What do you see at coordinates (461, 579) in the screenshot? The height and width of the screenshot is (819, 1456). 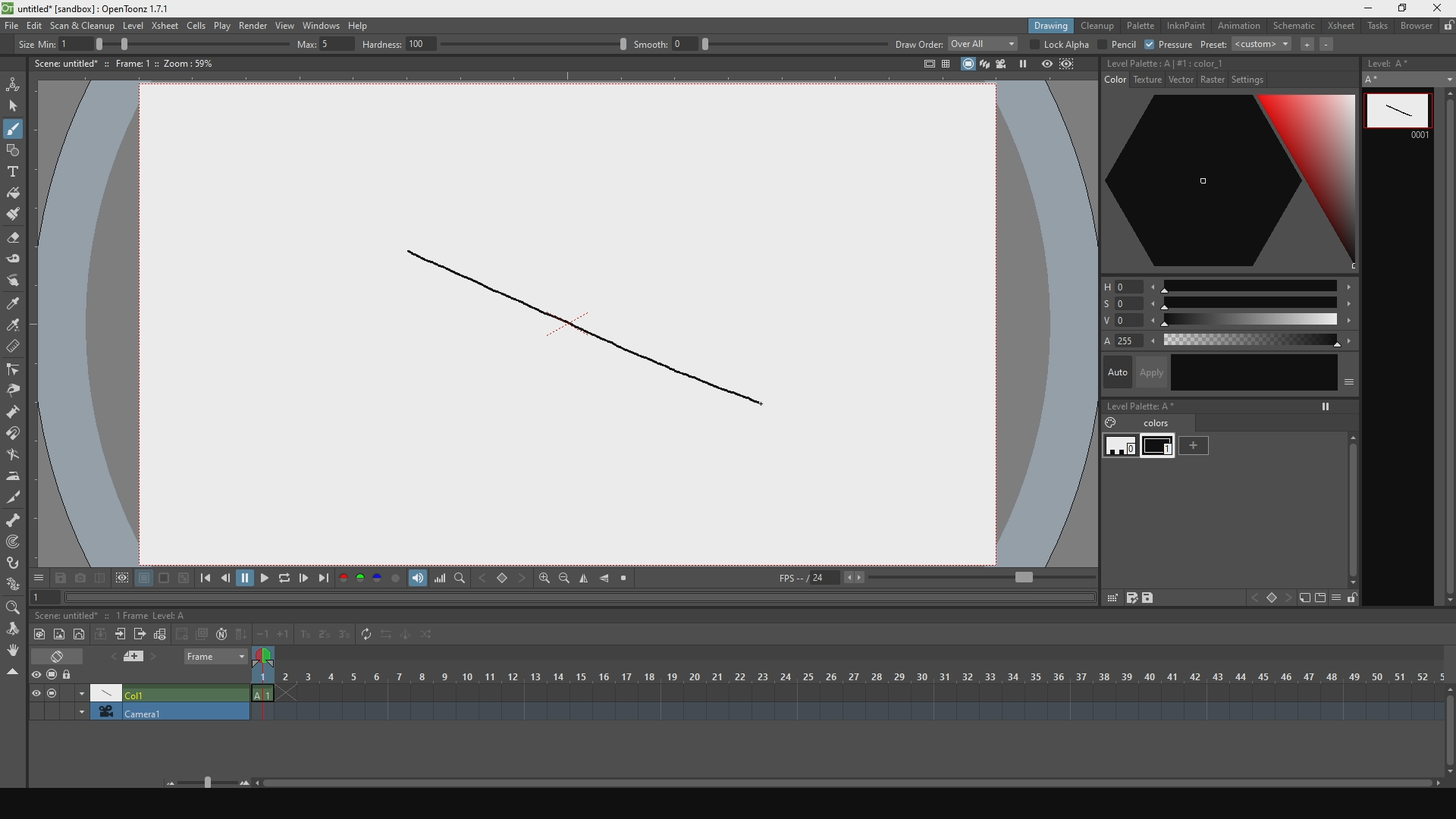 I see `finf` at bounding box center [461, 579].